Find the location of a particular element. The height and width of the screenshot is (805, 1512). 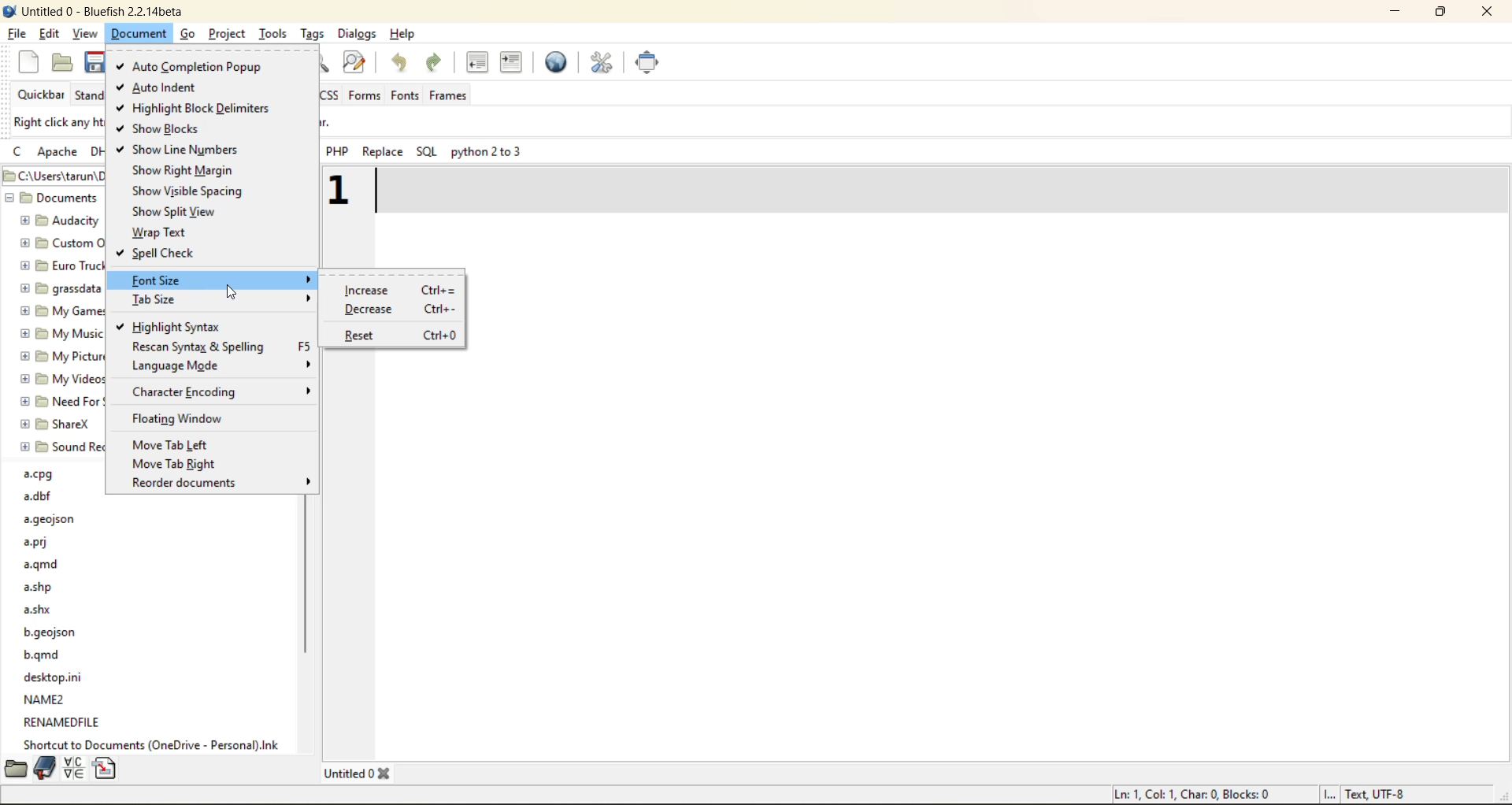

b.geojson is located at coordinates (51, 633).